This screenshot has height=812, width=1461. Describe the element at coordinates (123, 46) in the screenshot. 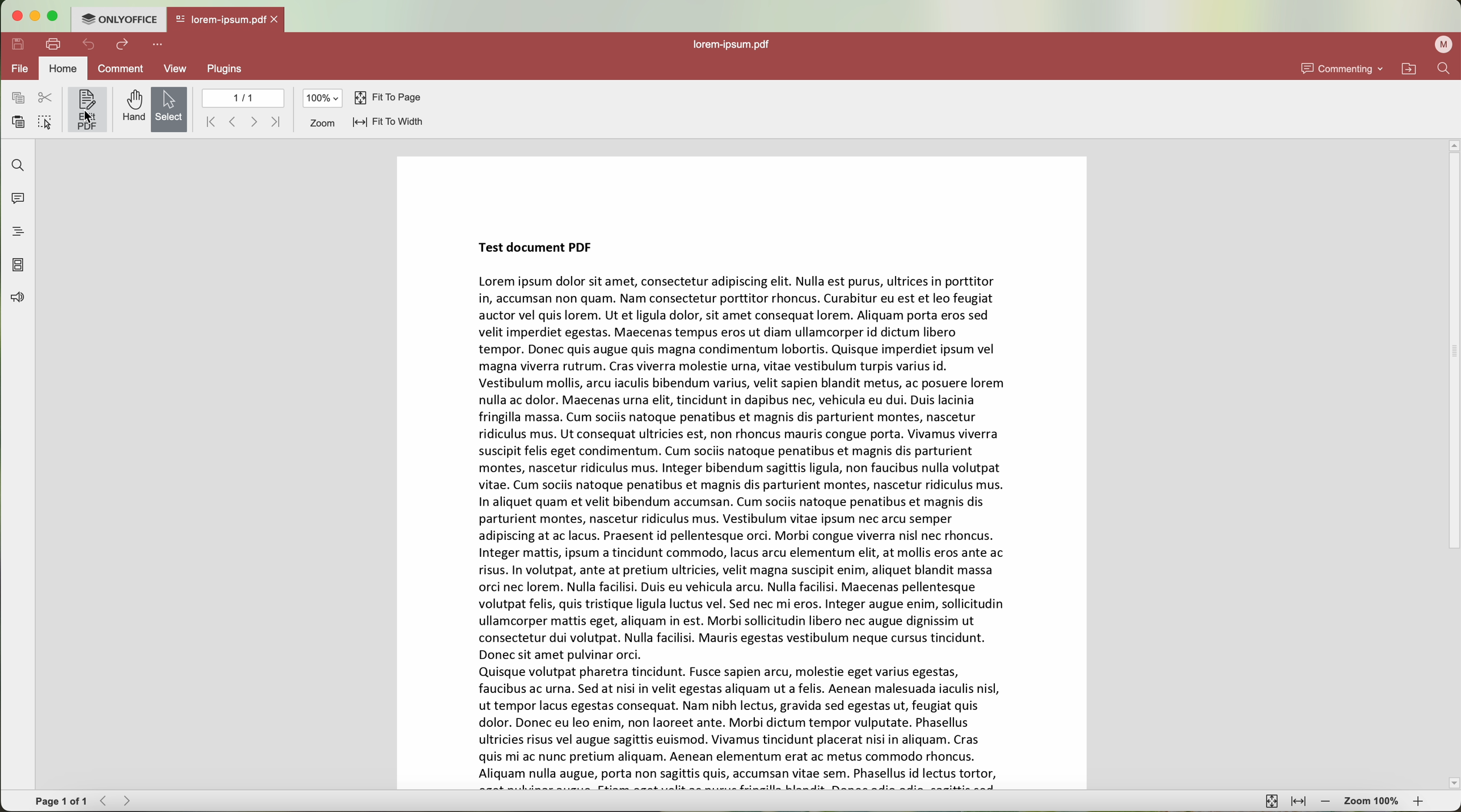

I see `redo` at that location.